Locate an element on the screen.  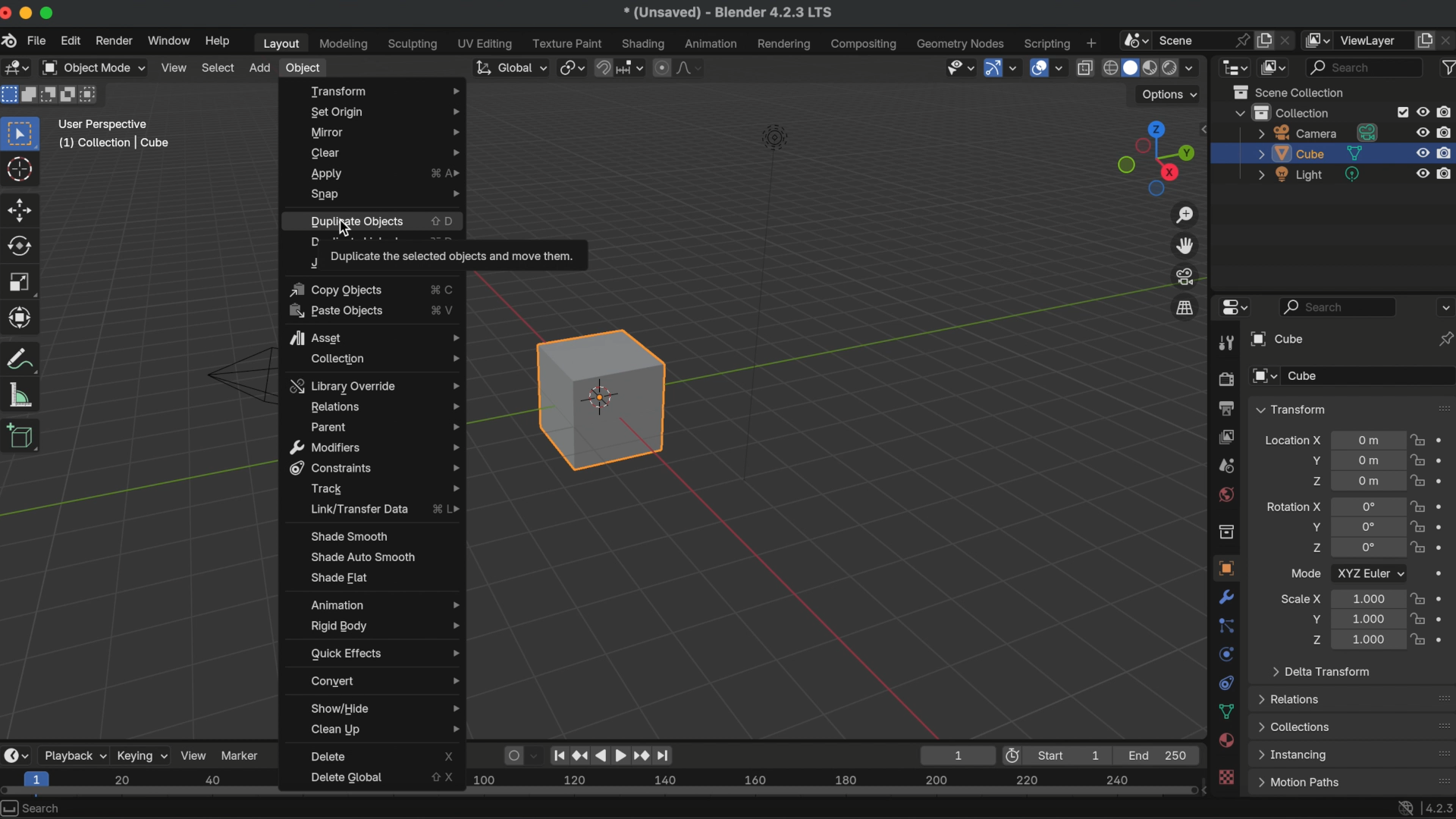
quick effect menu is located at coordinates (381, 653).